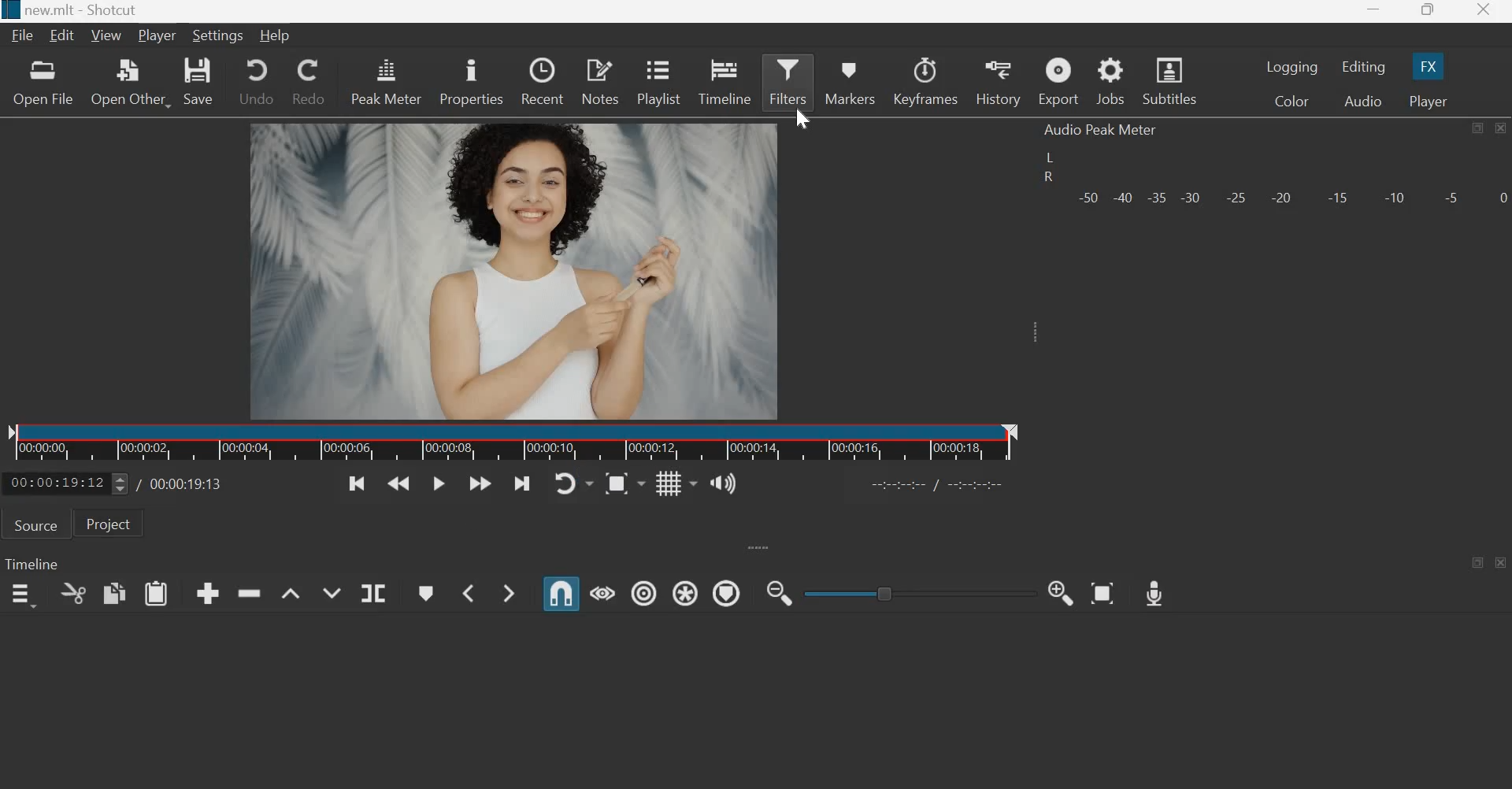  What do you see at coordinates (180, 482) in the screenshot?
I see `Total duration` at bounding box center [180, 482].